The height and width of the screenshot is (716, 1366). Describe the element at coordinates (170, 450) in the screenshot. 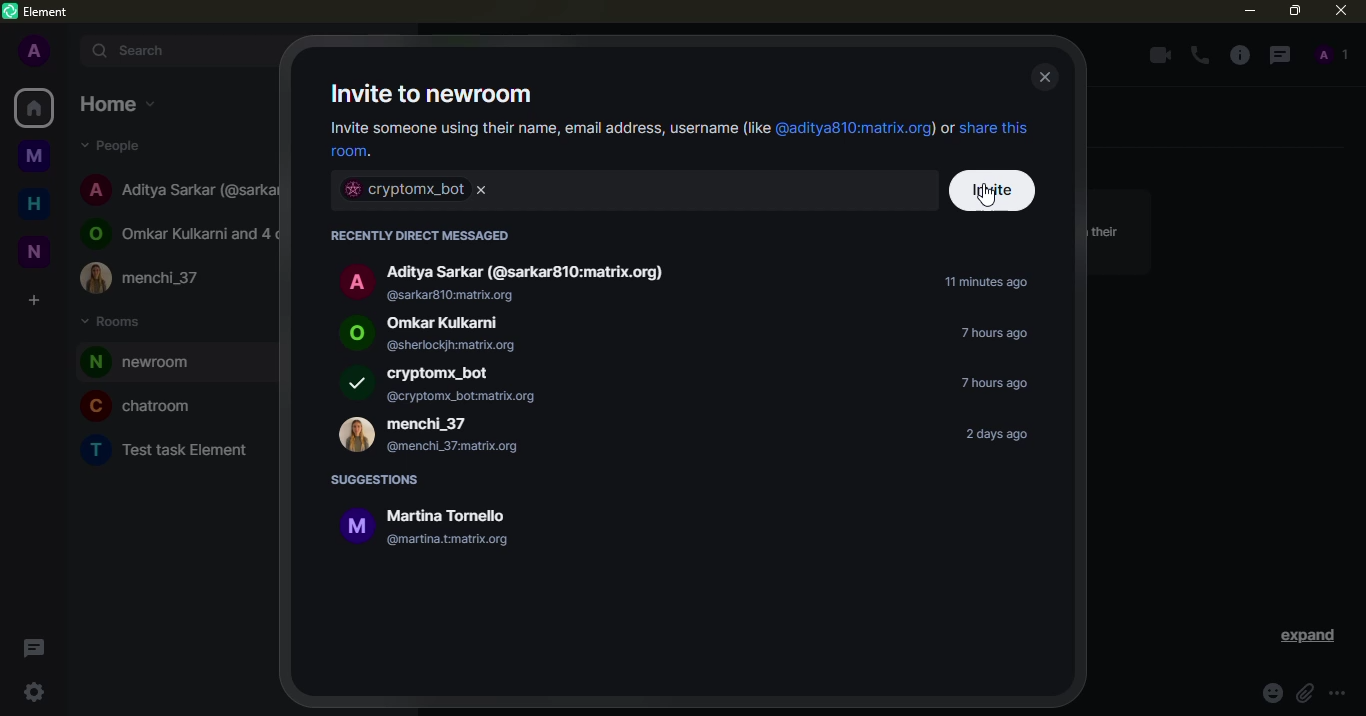

I see `Test task Element` at that location.